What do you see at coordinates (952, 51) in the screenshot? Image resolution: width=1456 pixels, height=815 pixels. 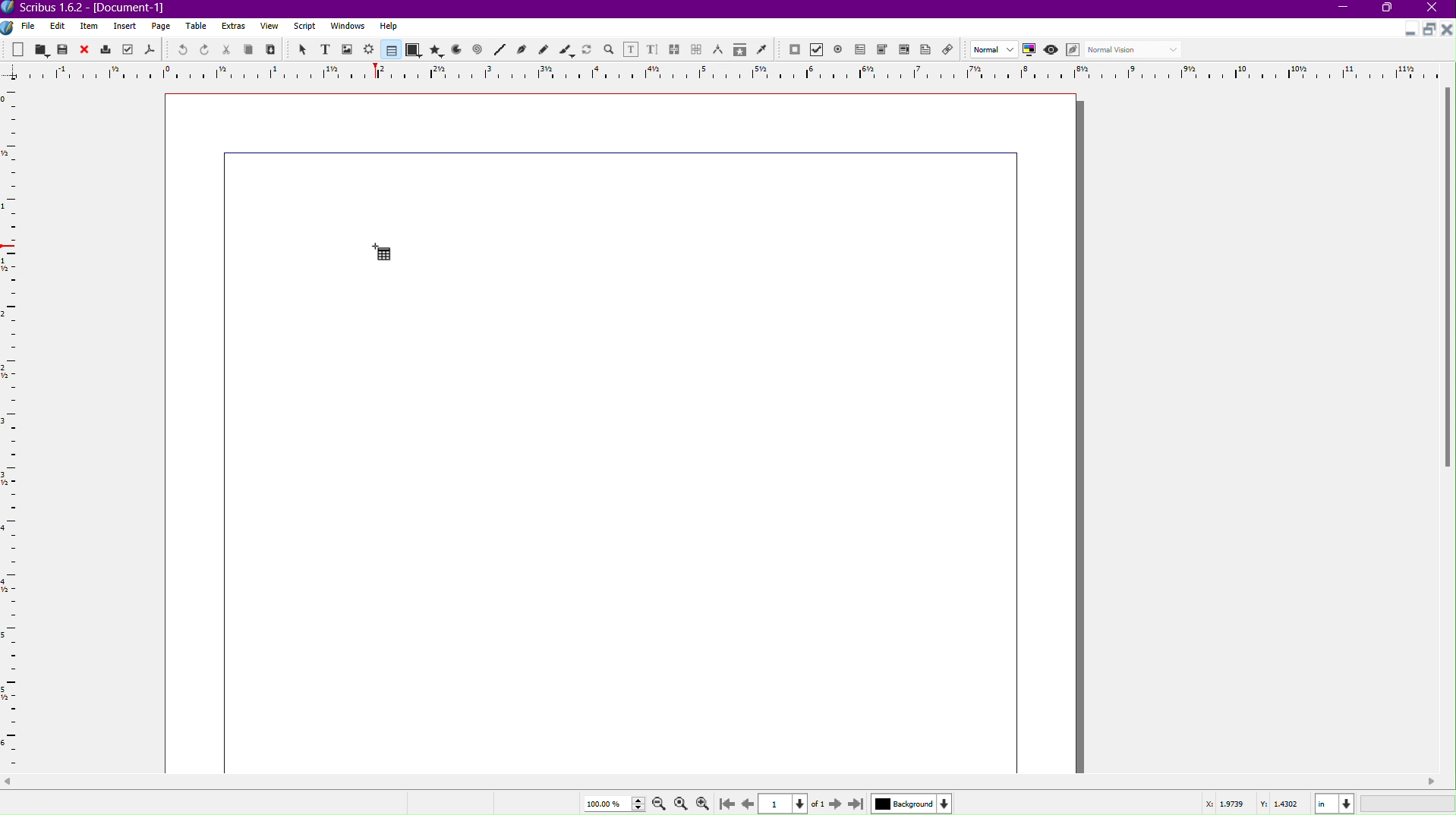 I see `Link Annotation` at bounding box center [952, 51].